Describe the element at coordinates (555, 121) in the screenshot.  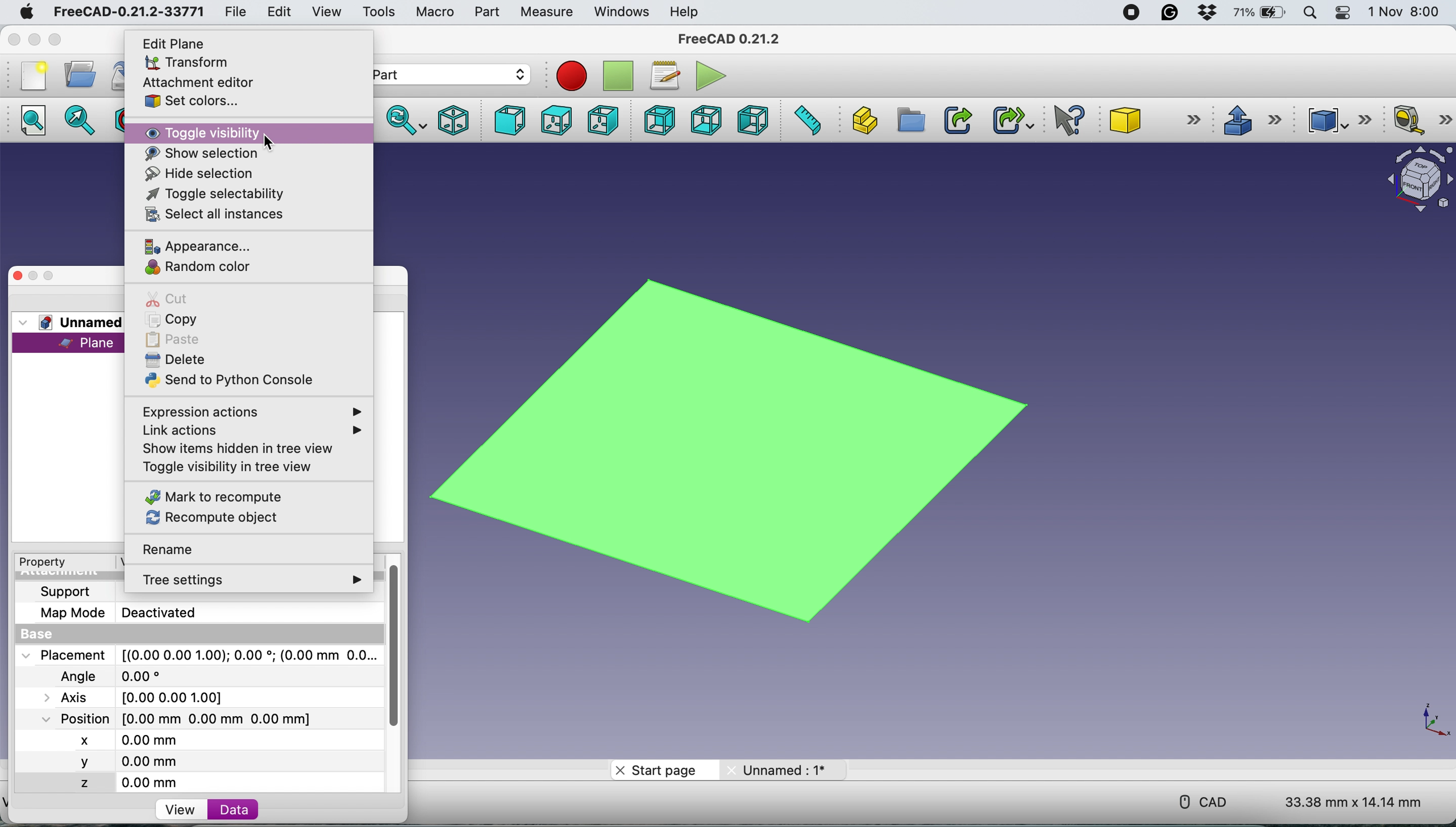
I see `top` at that location.